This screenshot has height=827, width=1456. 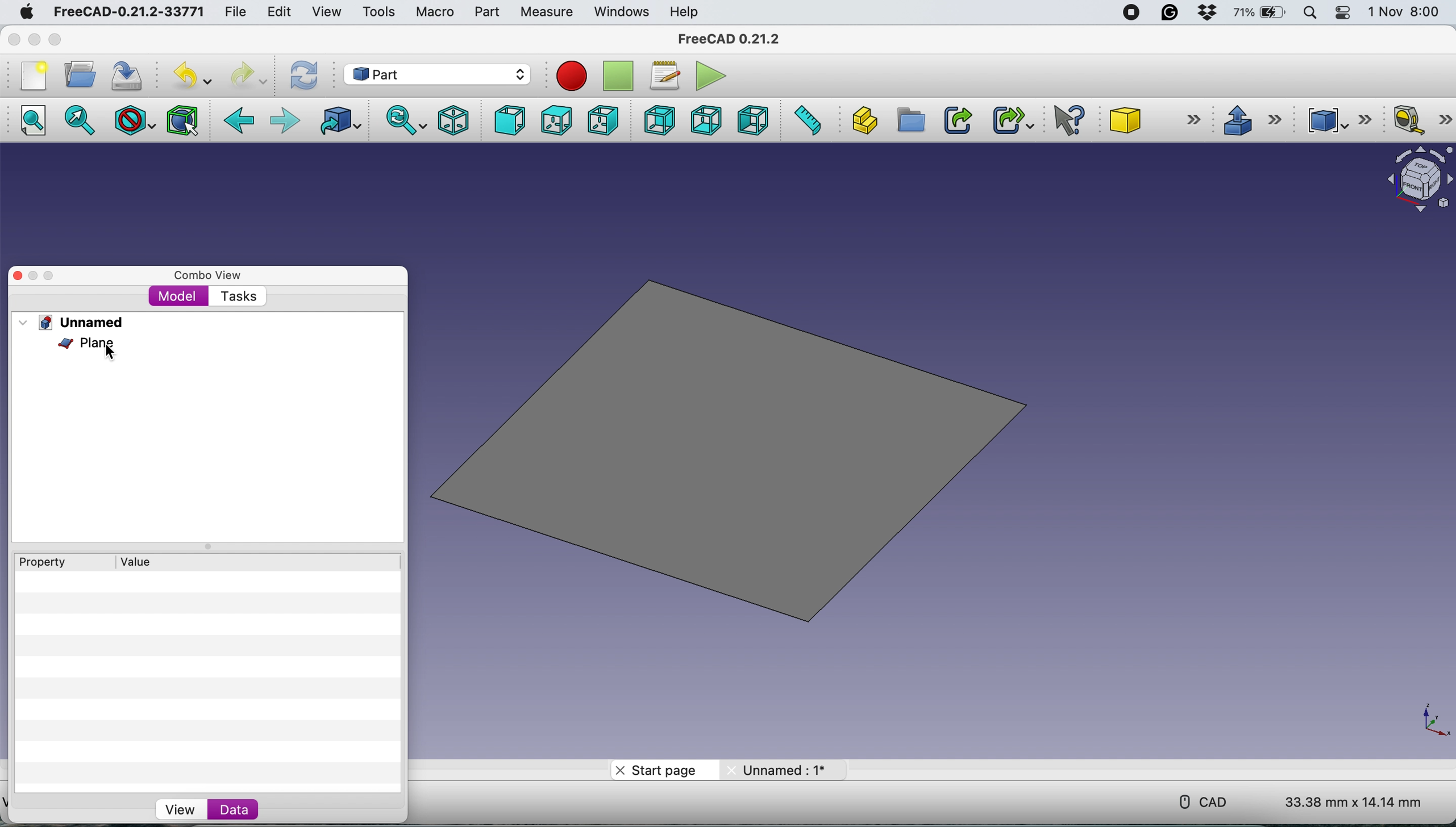 What do you see at coordinates (703, 121) in the screenshot?
I see `bottom` at bounding box center [703, 121].